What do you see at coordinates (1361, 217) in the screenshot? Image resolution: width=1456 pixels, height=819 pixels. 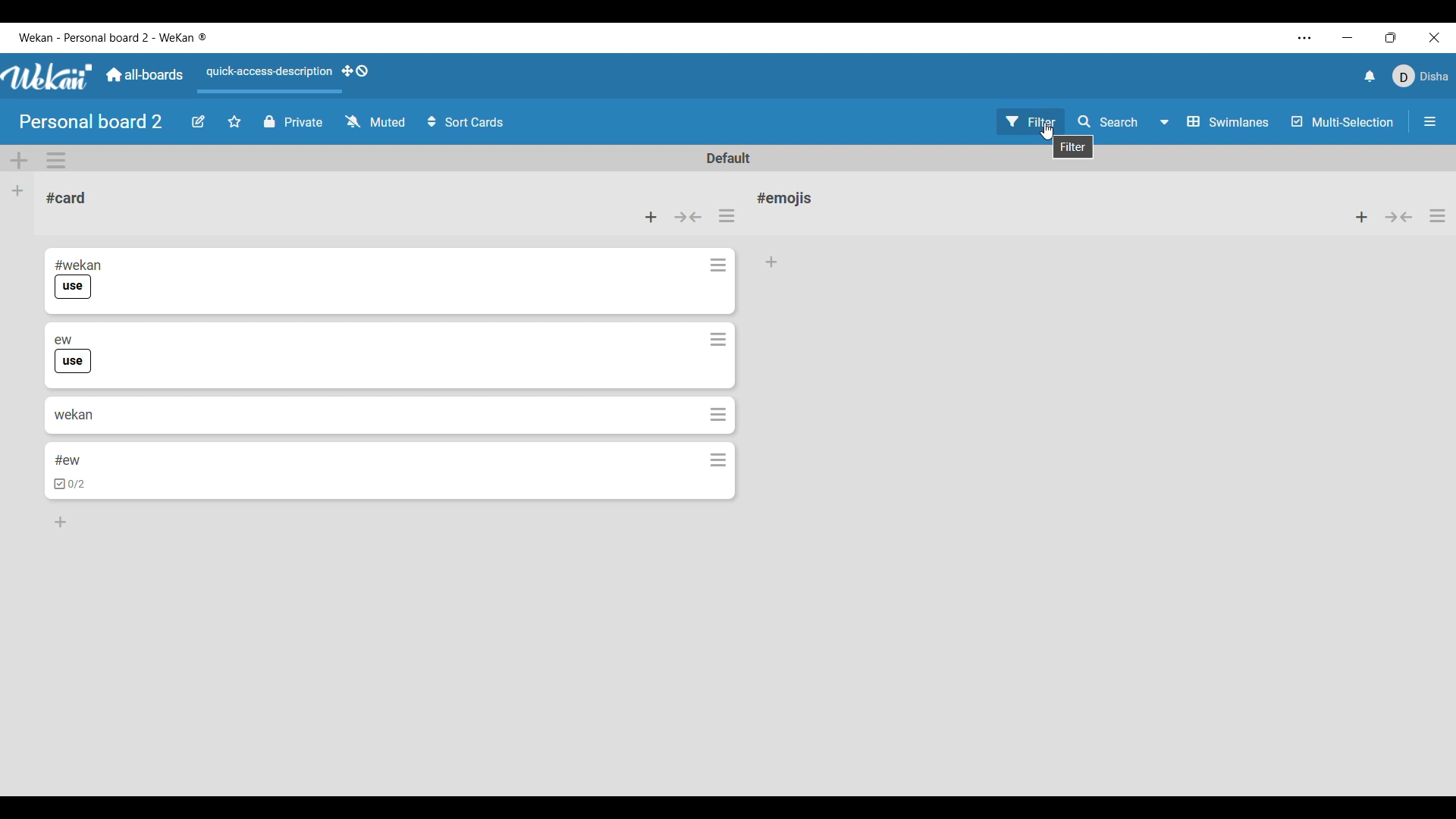 I see `Add card to top of list` at bounding box center [1361, 217].